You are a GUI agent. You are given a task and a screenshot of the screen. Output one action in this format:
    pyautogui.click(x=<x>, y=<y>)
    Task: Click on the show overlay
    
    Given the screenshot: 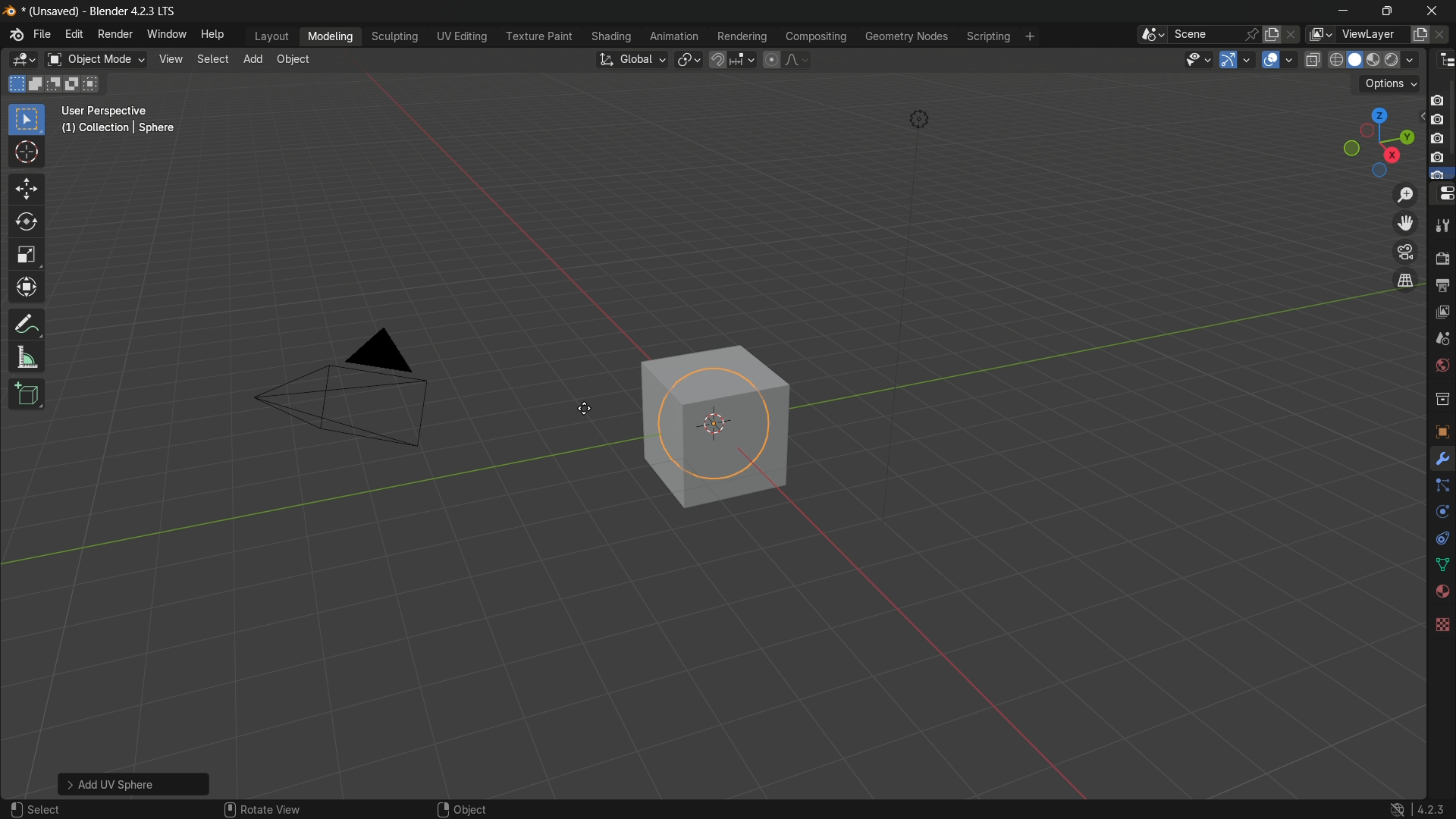 What is the action you would take?
    pyautogui.click(x=1271, y=61)
    